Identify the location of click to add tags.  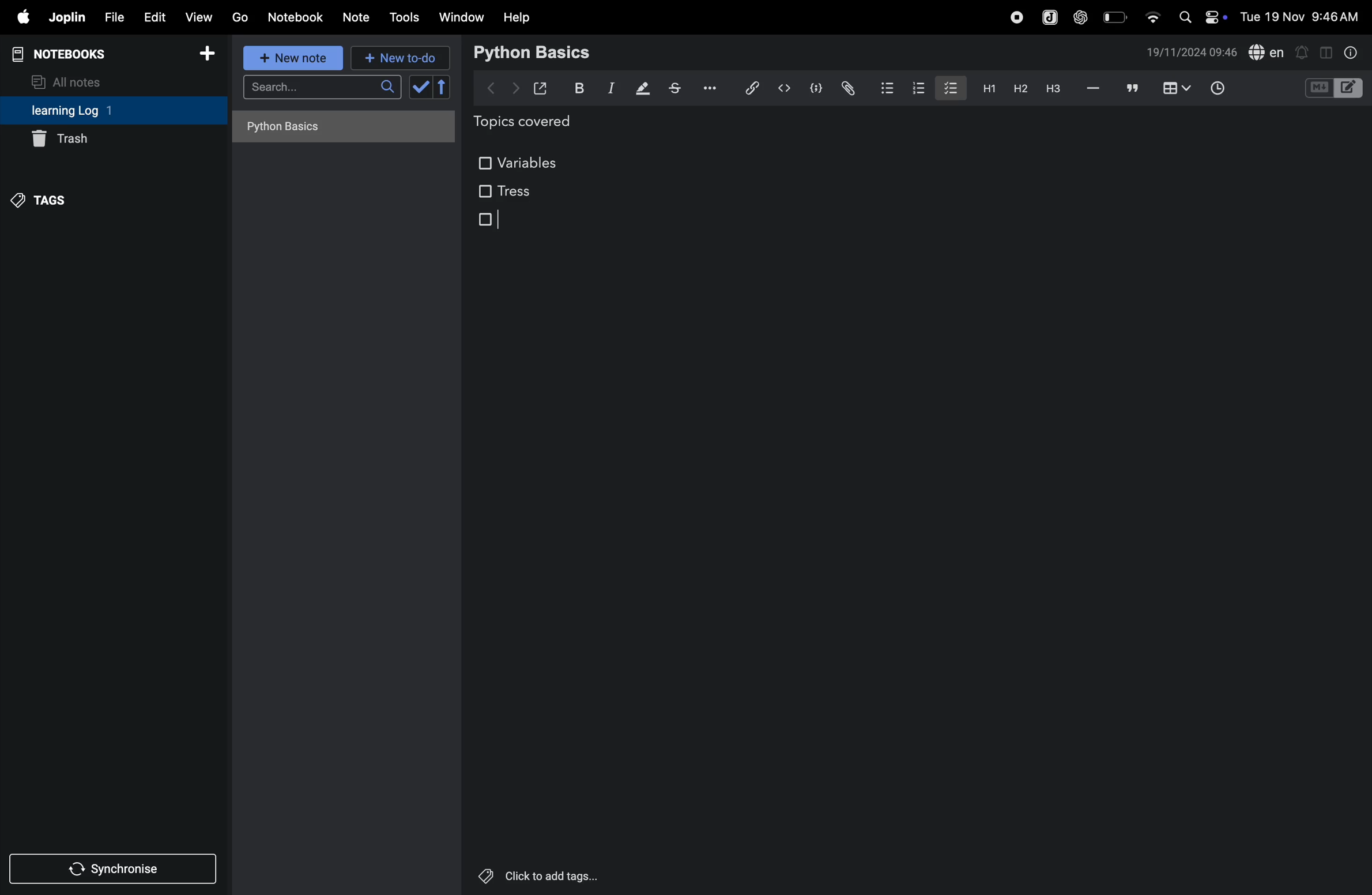
(534, 874).